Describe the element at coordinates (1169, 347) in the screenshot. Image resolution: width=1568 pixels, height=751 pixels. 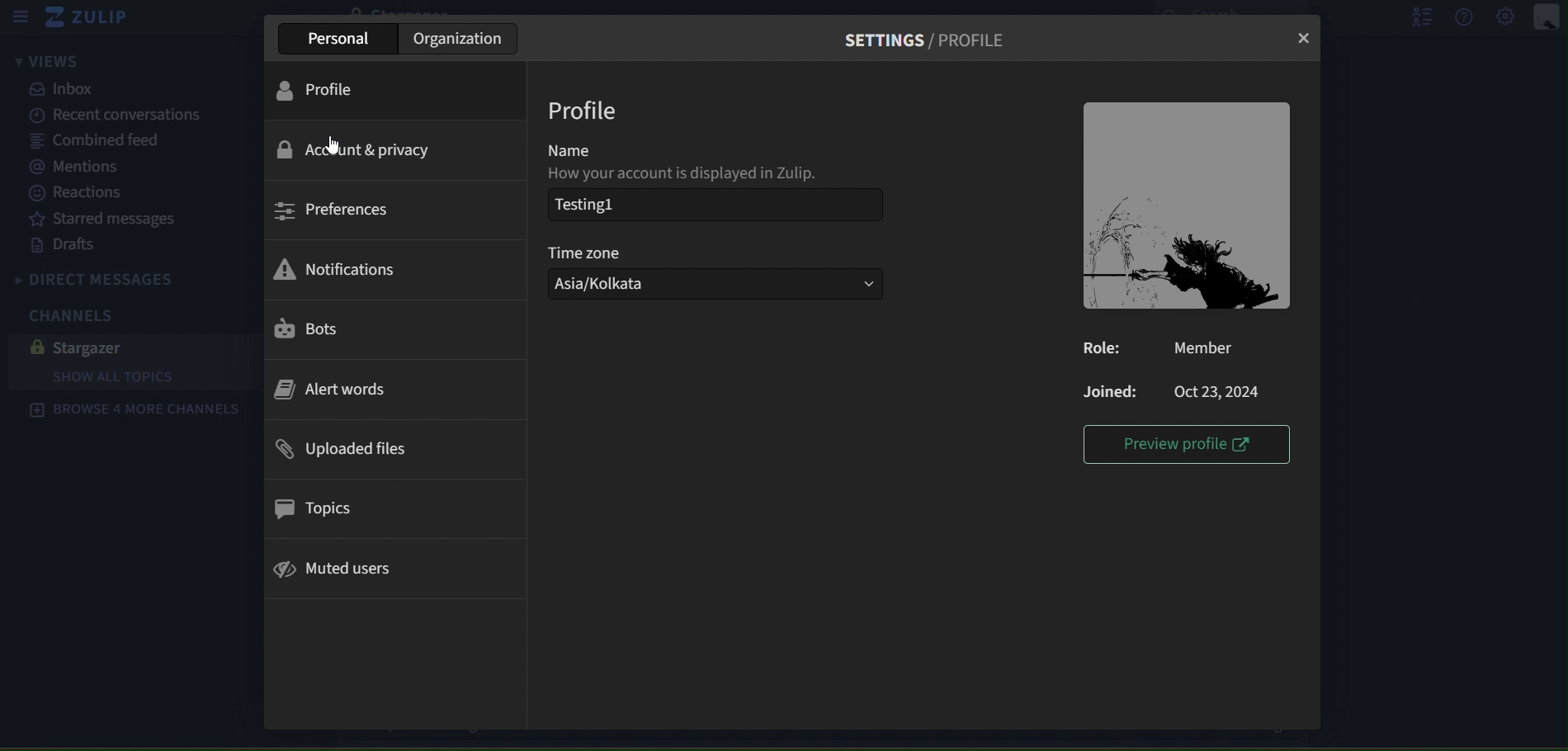
I see `Role: Member` at that location.